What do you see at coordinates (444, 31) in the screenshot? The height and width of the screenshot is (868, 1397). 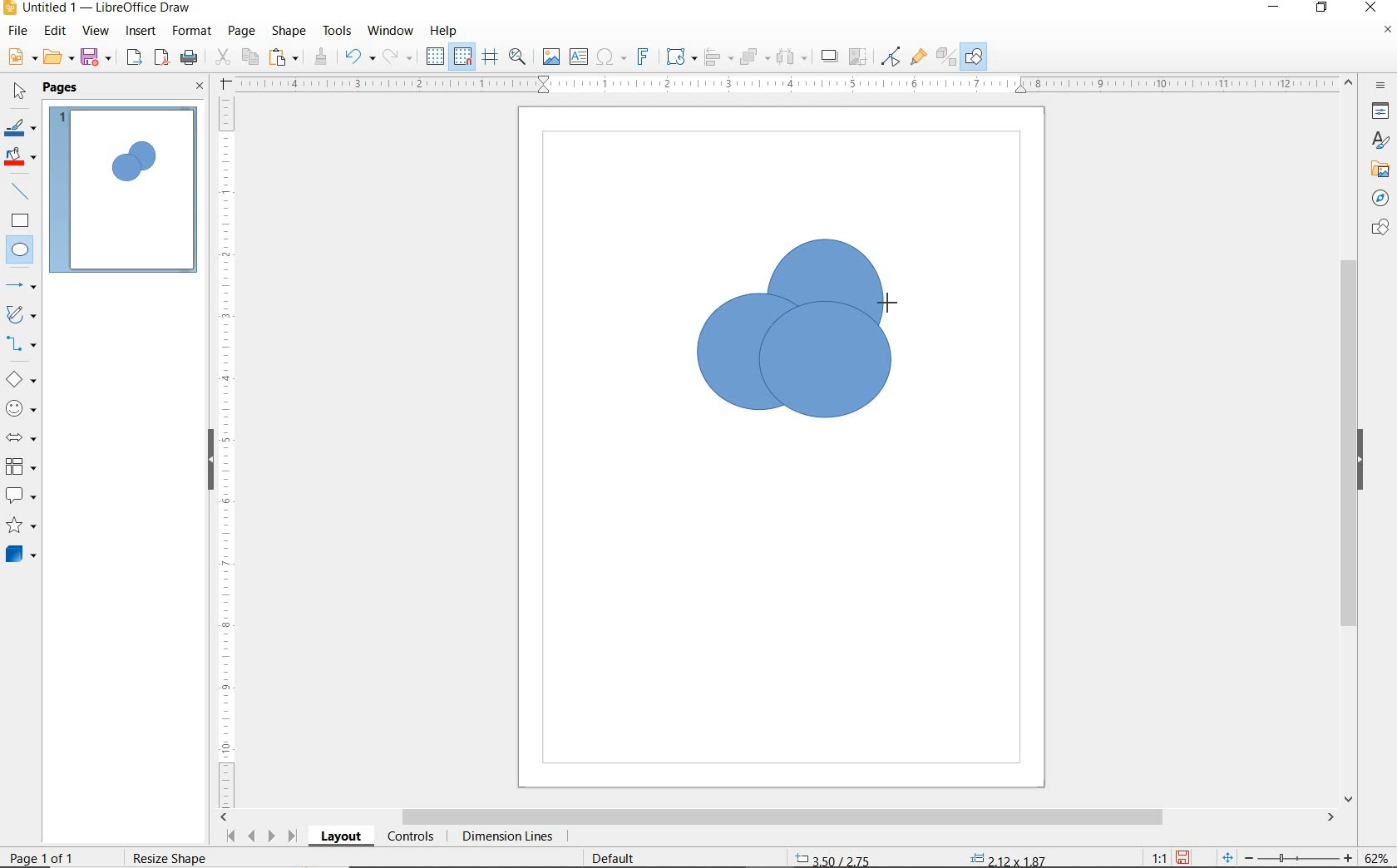 I see `HELP` at bounding box center [444, 31].